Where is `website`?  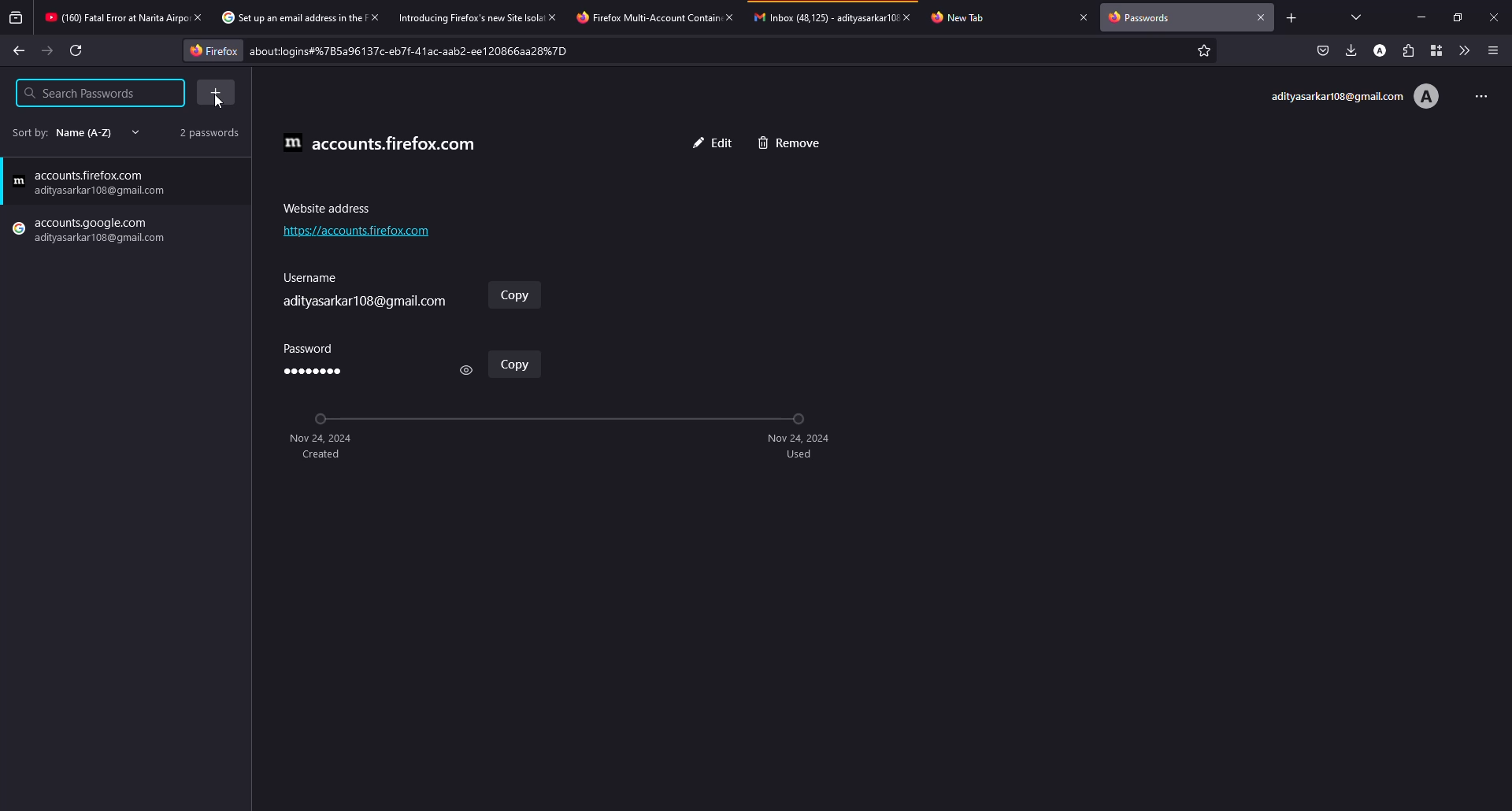 website is located at coordinates (355, 232).